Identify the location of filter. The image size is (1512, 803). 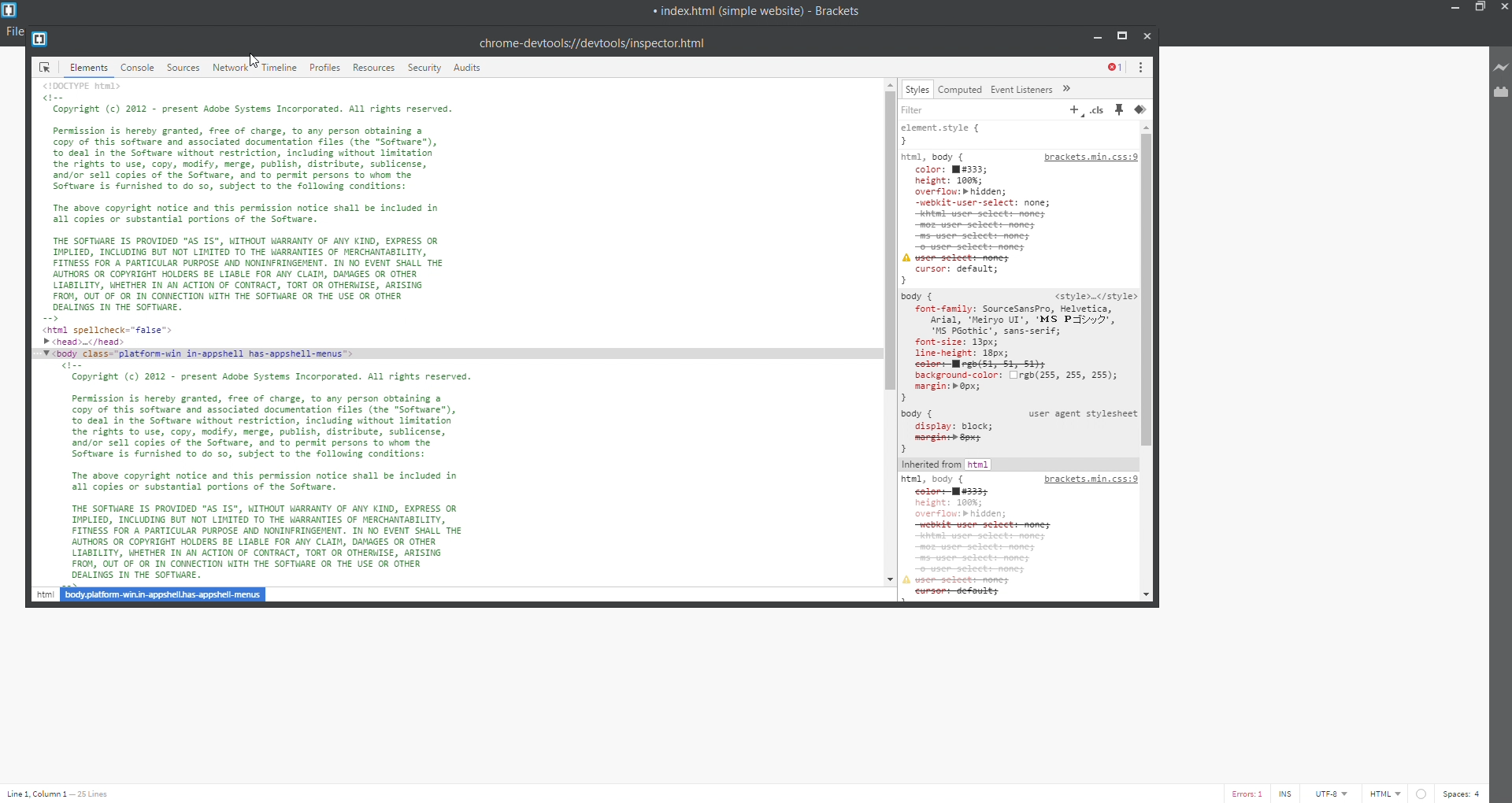
(917, 110).